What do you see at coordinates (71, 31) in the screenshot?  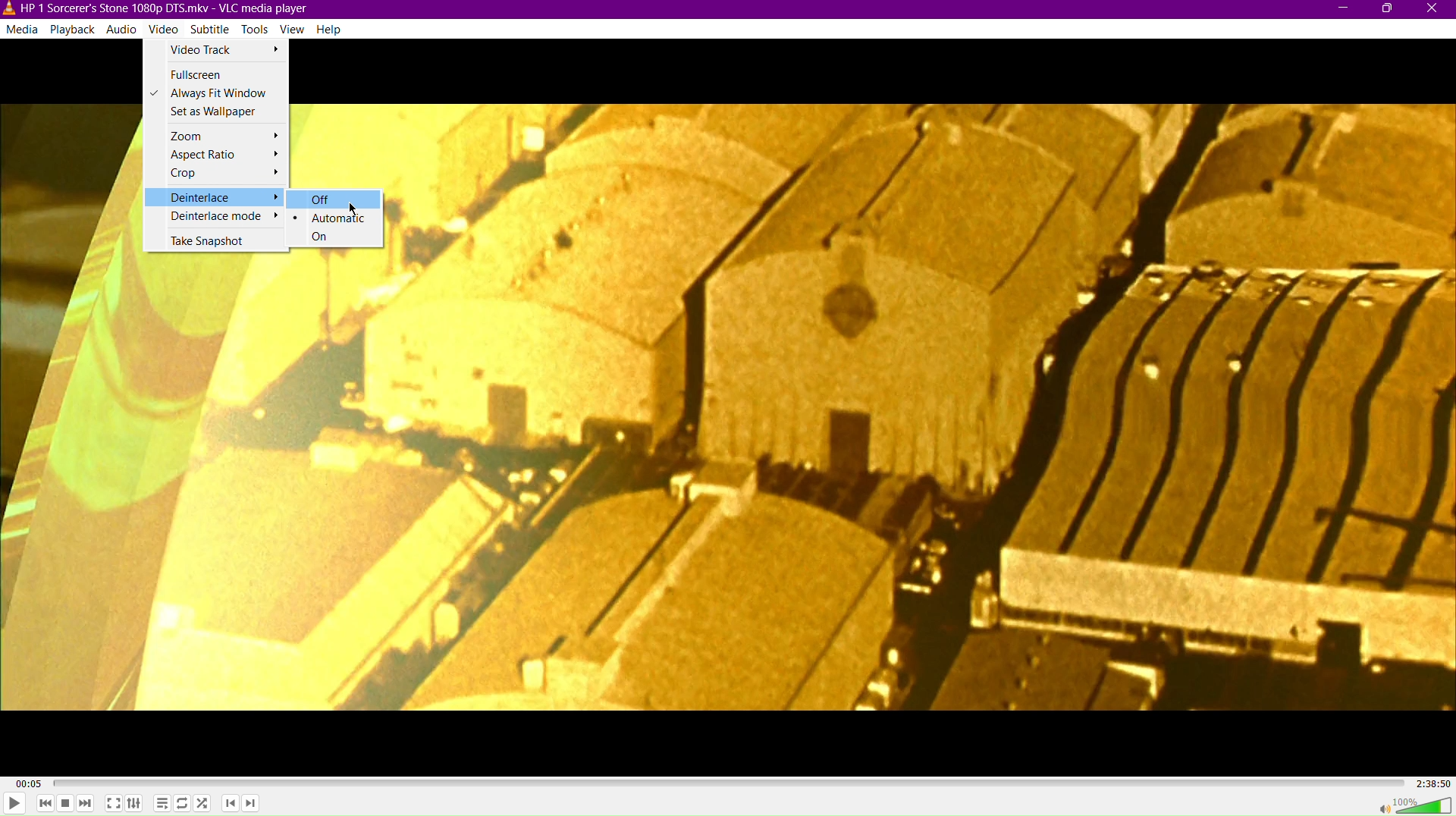 I see `Playback` at bounding box center [71, 31].